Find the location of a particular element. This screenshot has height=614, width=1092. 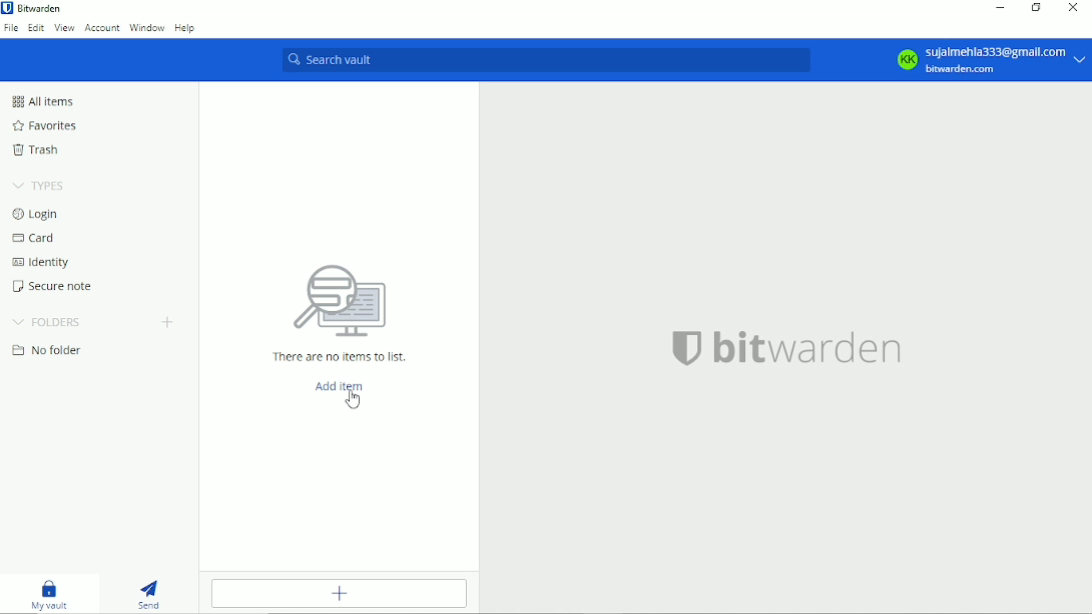

Types is located at coordinates (40, 185).